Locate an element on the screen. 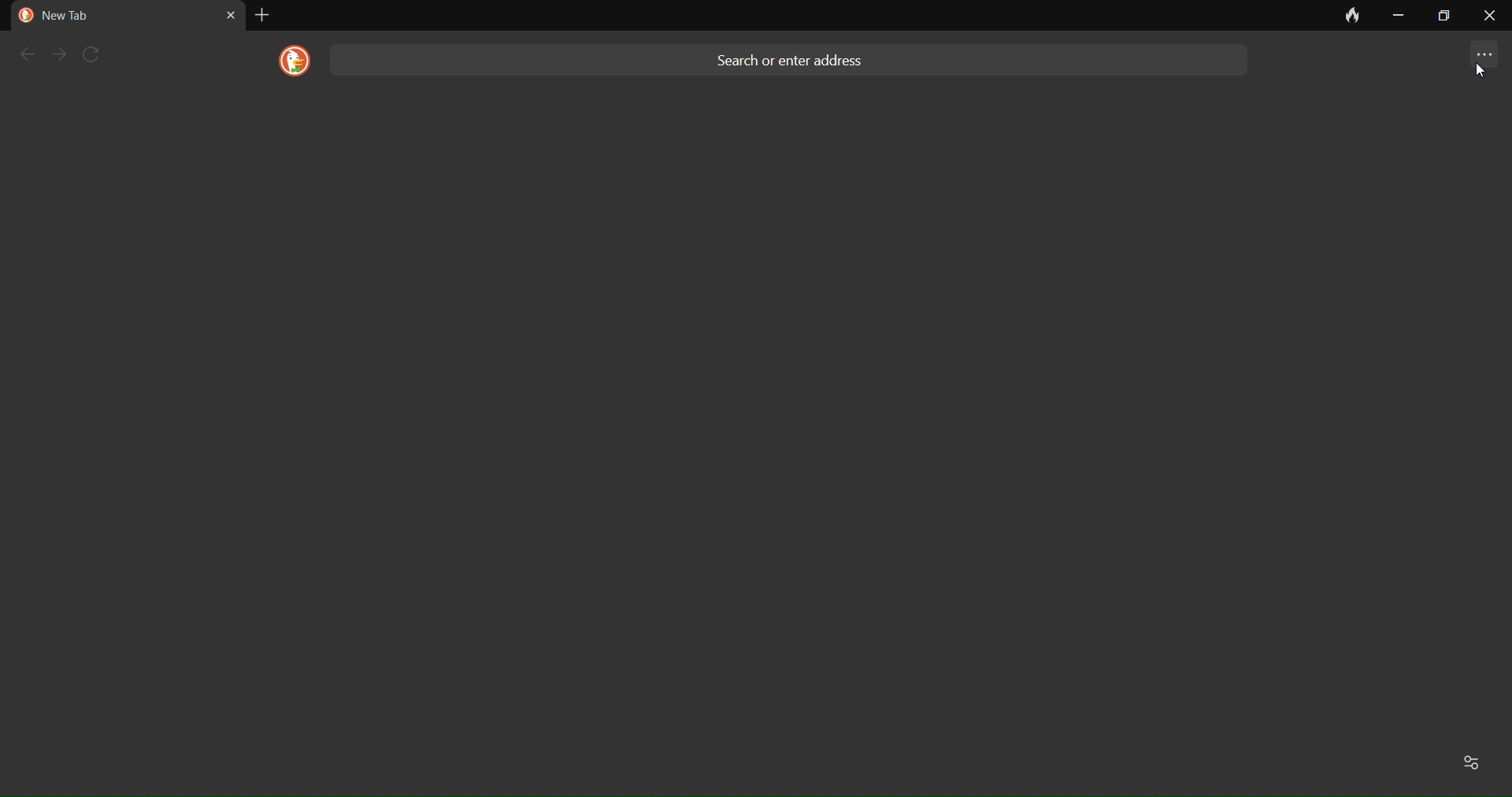 This screenshot has width=1512, height=797. next is located at coordinates (61, 54).